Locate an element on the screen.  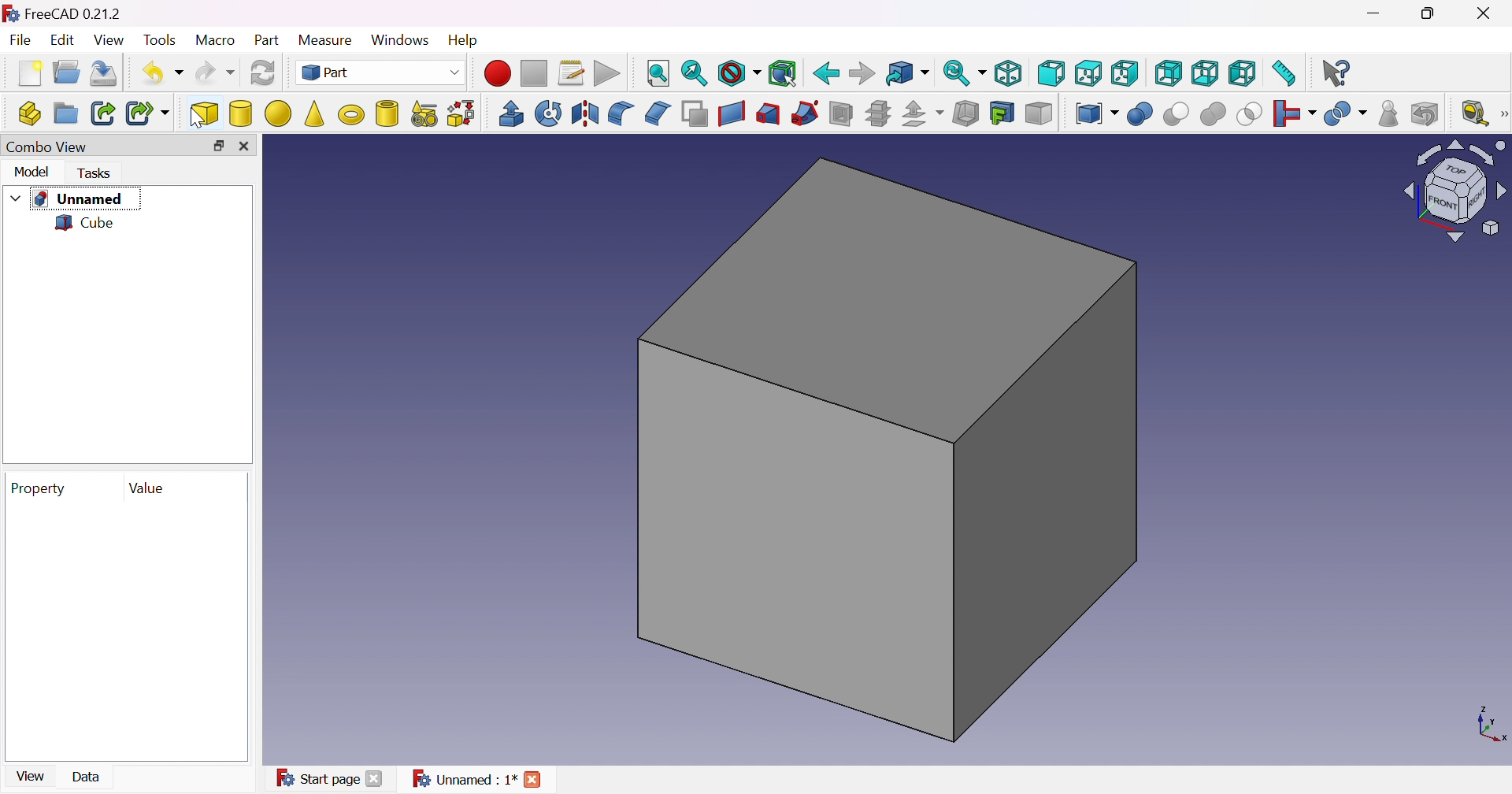
Undo is located at coordinates (161, 72).